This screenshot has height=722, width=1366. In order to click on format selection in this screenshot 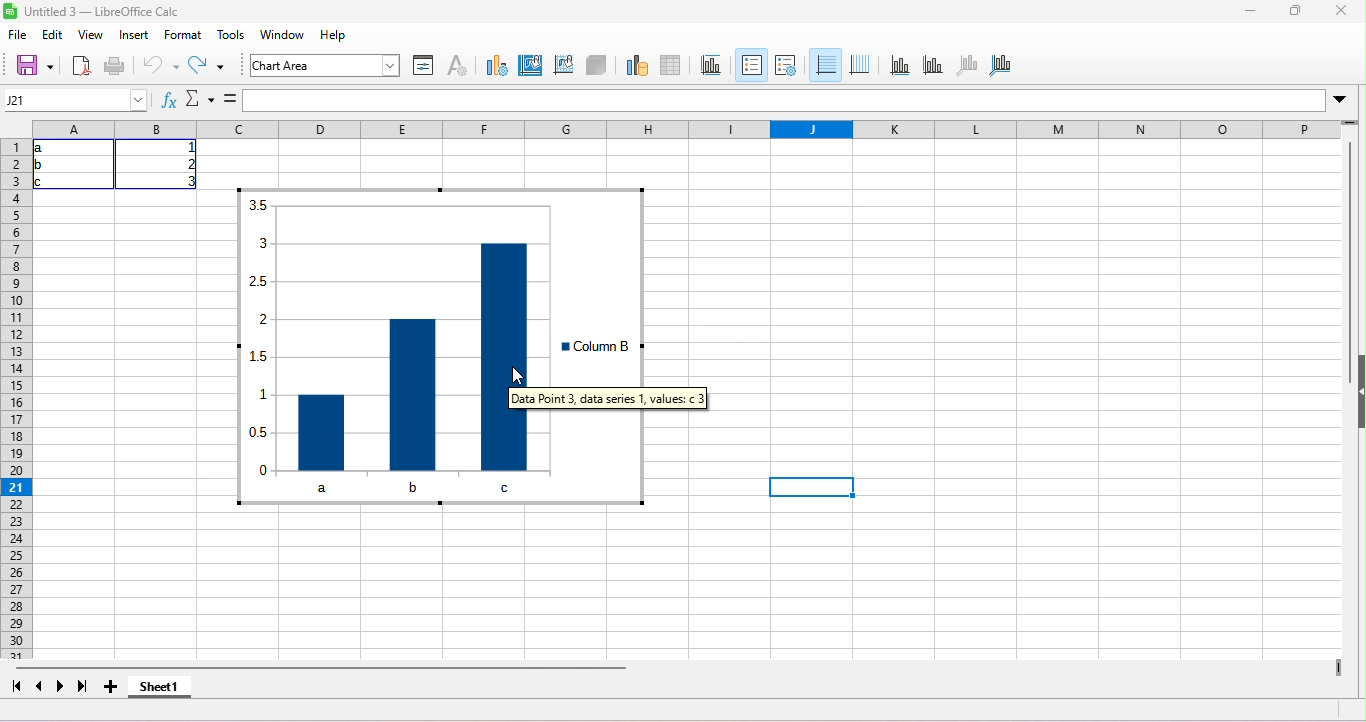, I will do `click(422, 66)`.